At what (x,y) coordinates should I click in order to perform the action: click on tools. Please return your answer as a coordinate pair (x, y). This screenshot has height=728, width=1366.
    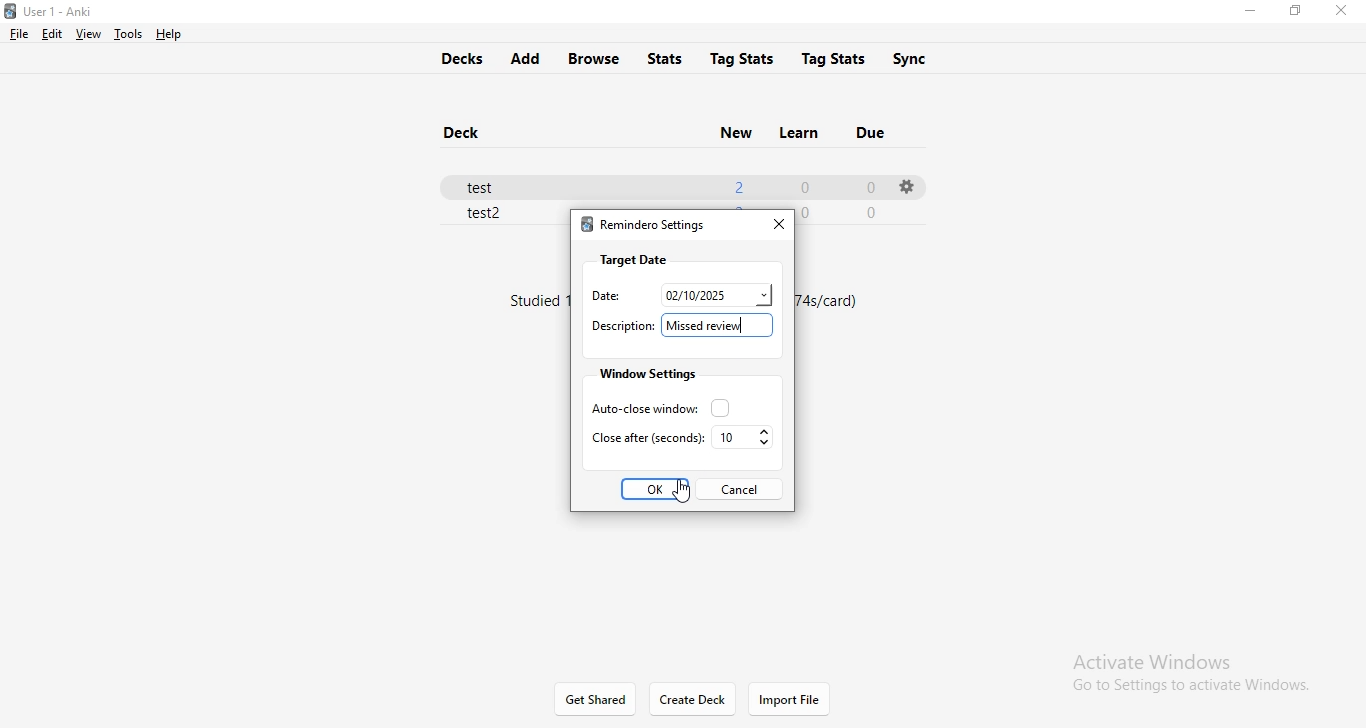
    Looking at the image, I should click on (125, 34).